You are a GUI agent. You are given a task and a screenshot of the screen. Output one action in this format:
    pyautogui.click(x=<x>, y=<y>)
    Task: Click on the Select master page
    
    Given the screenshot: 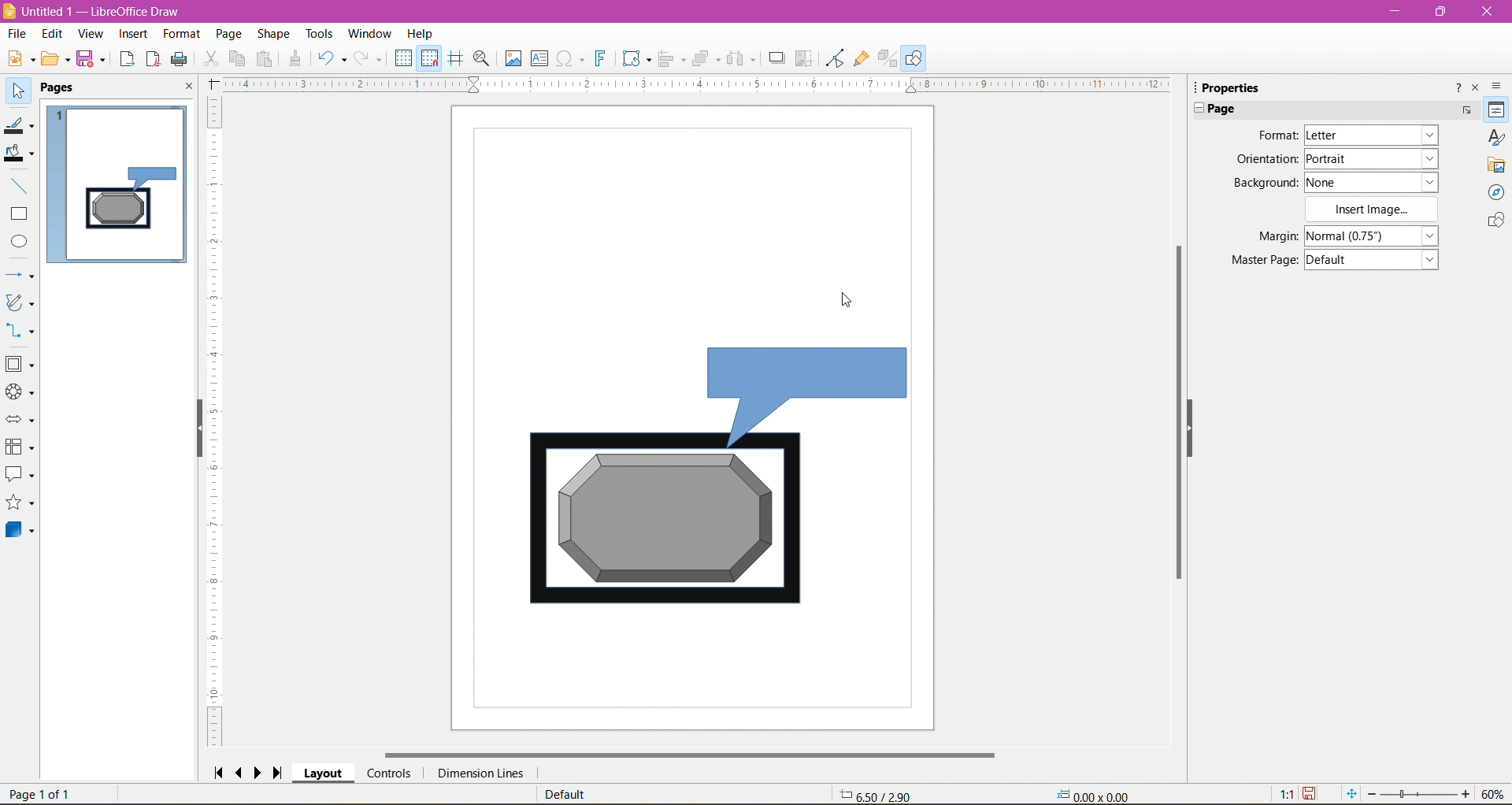 What is the action you would take?
    pyautogui.click(x=1375, y=260)
    